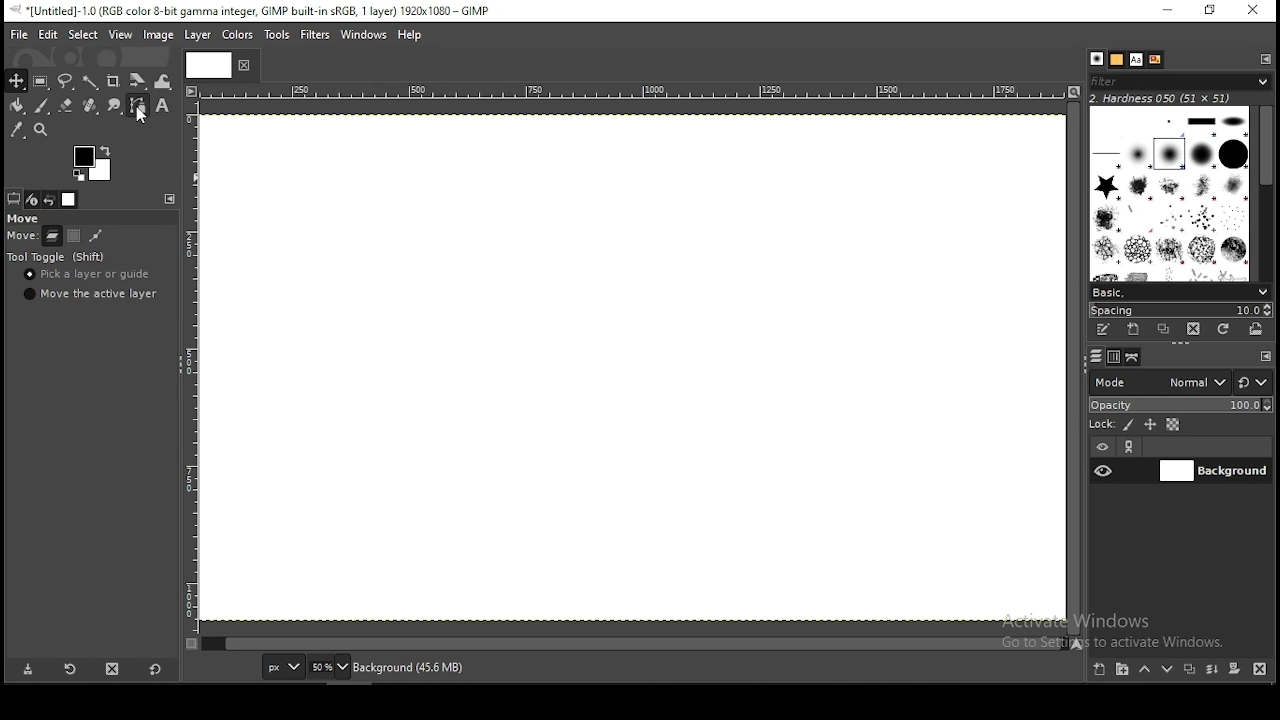 This screenshot has height=720, width=1280. Describe the element at coordinates (18, 130) in the screenshot. I see `color picker tool` at that location.